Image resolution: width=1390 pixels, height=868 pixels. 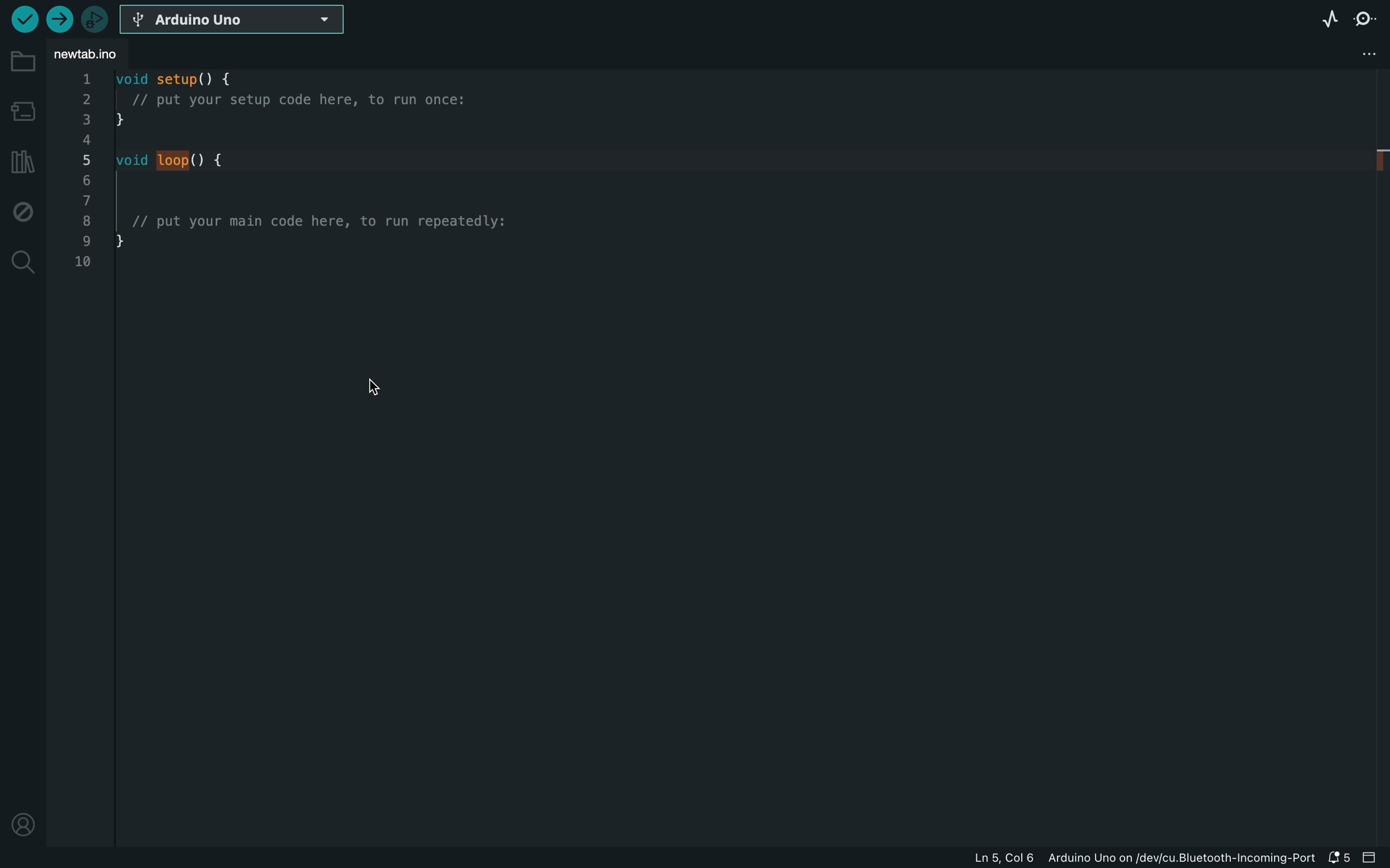 What do you see at coordinates (1329, 18) in the screenshot?
I see `serial plotter` at bounding box center [1329, 18].